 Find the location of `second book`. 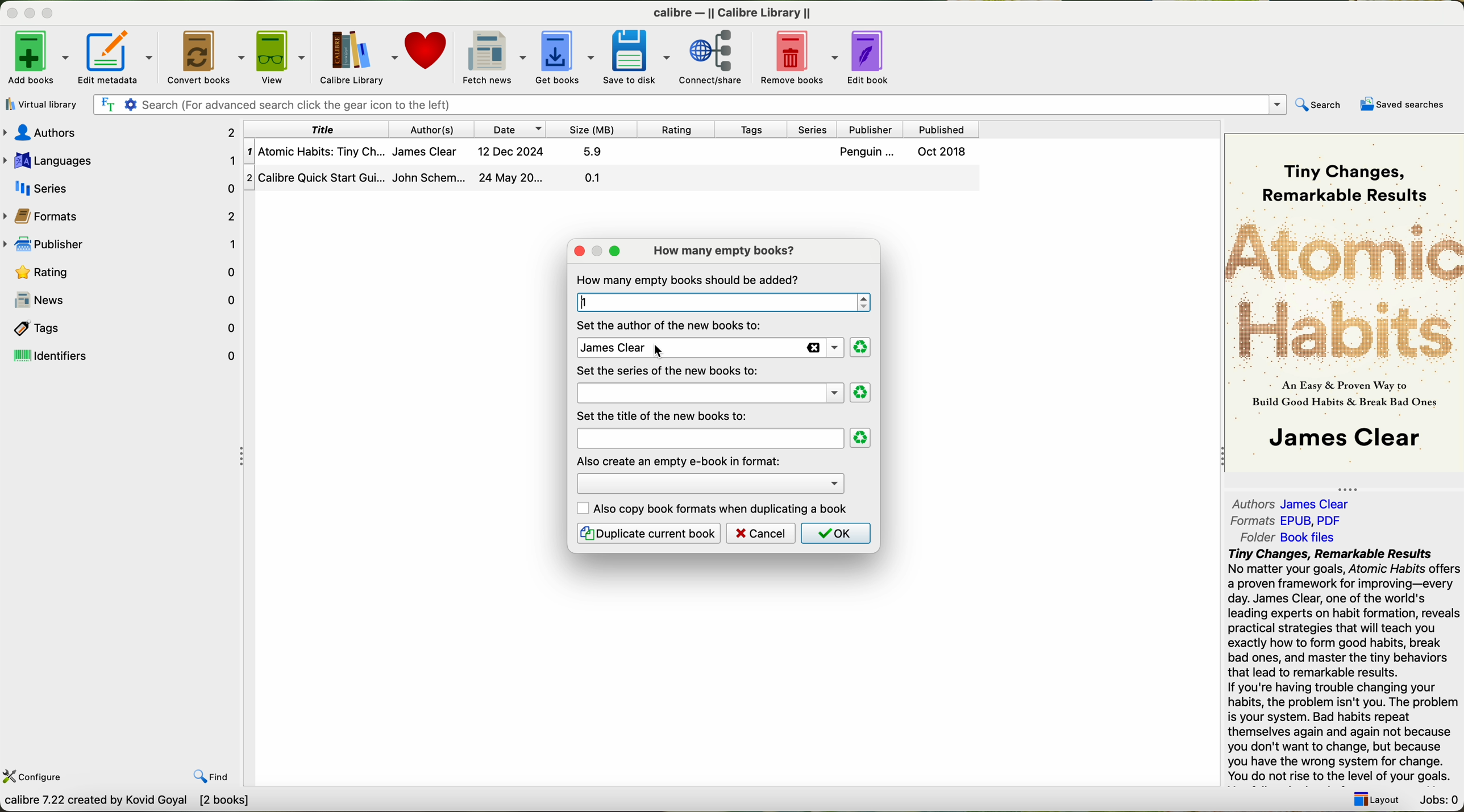

second book is located at coordinates (612, 178).